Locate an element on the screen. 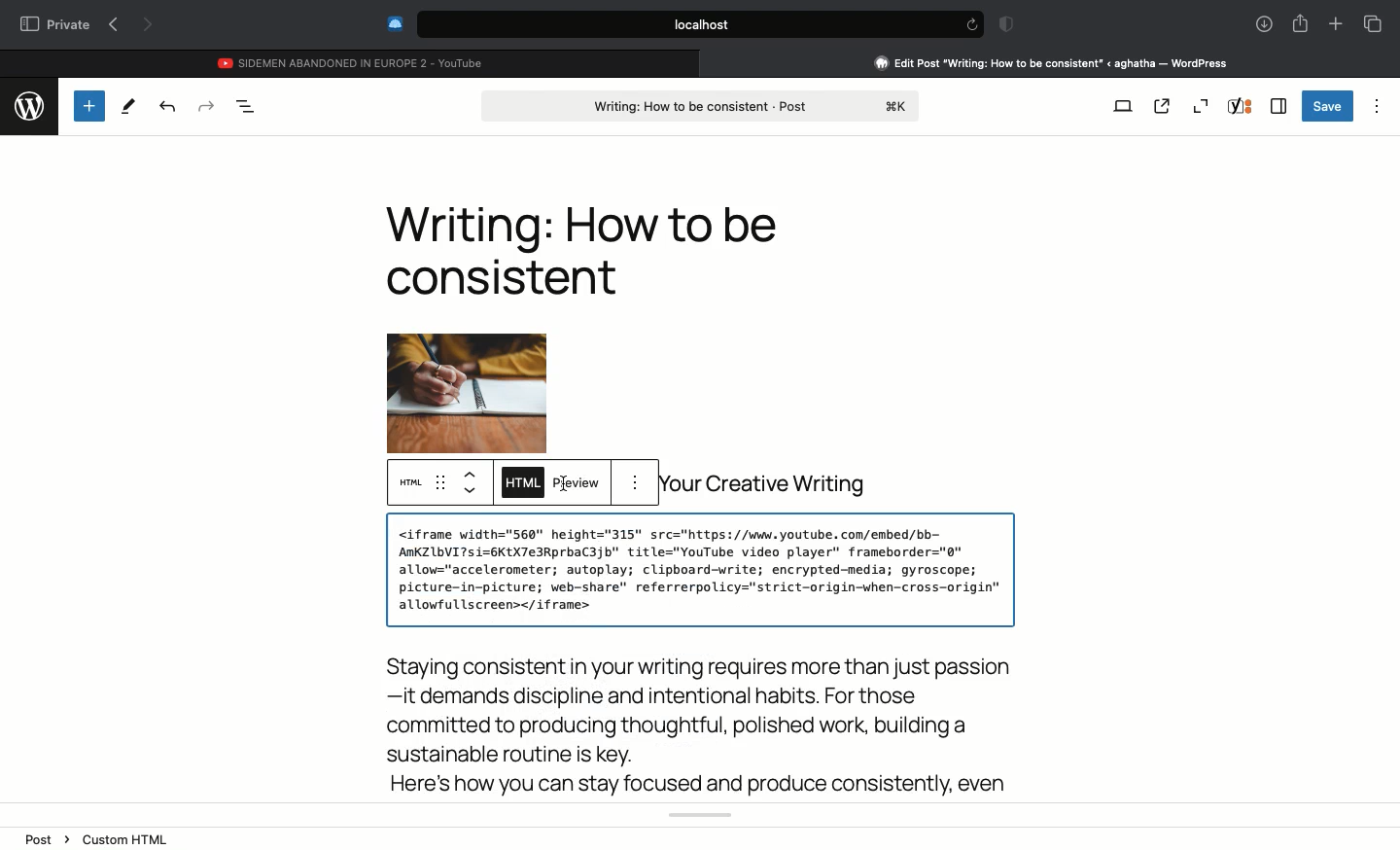 This screenshot has height=850, width=1400. Youtube is located at coordinates (353, 60).